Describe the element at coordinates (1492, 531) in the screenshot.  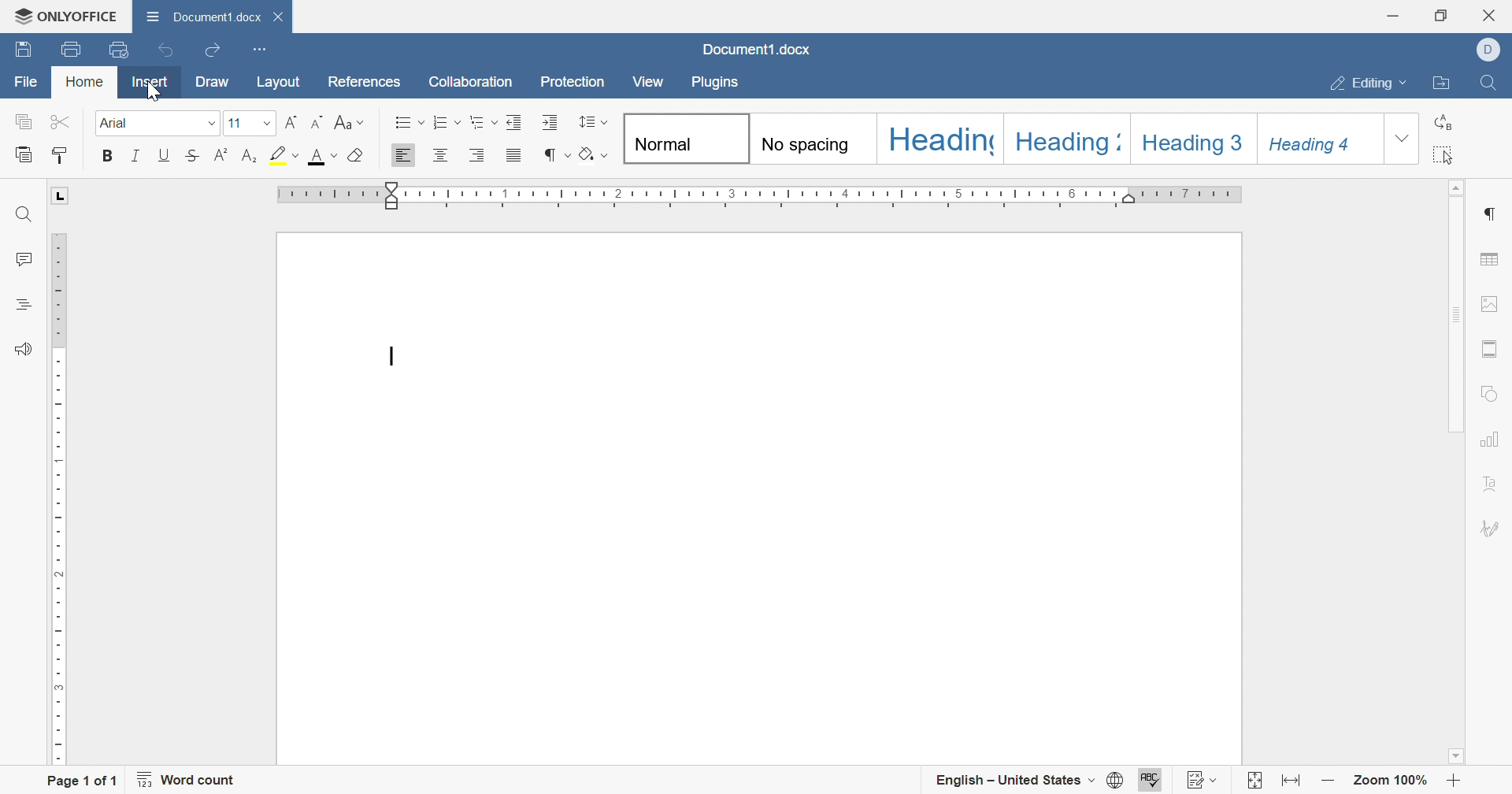
I see `Signature settings` at that location.